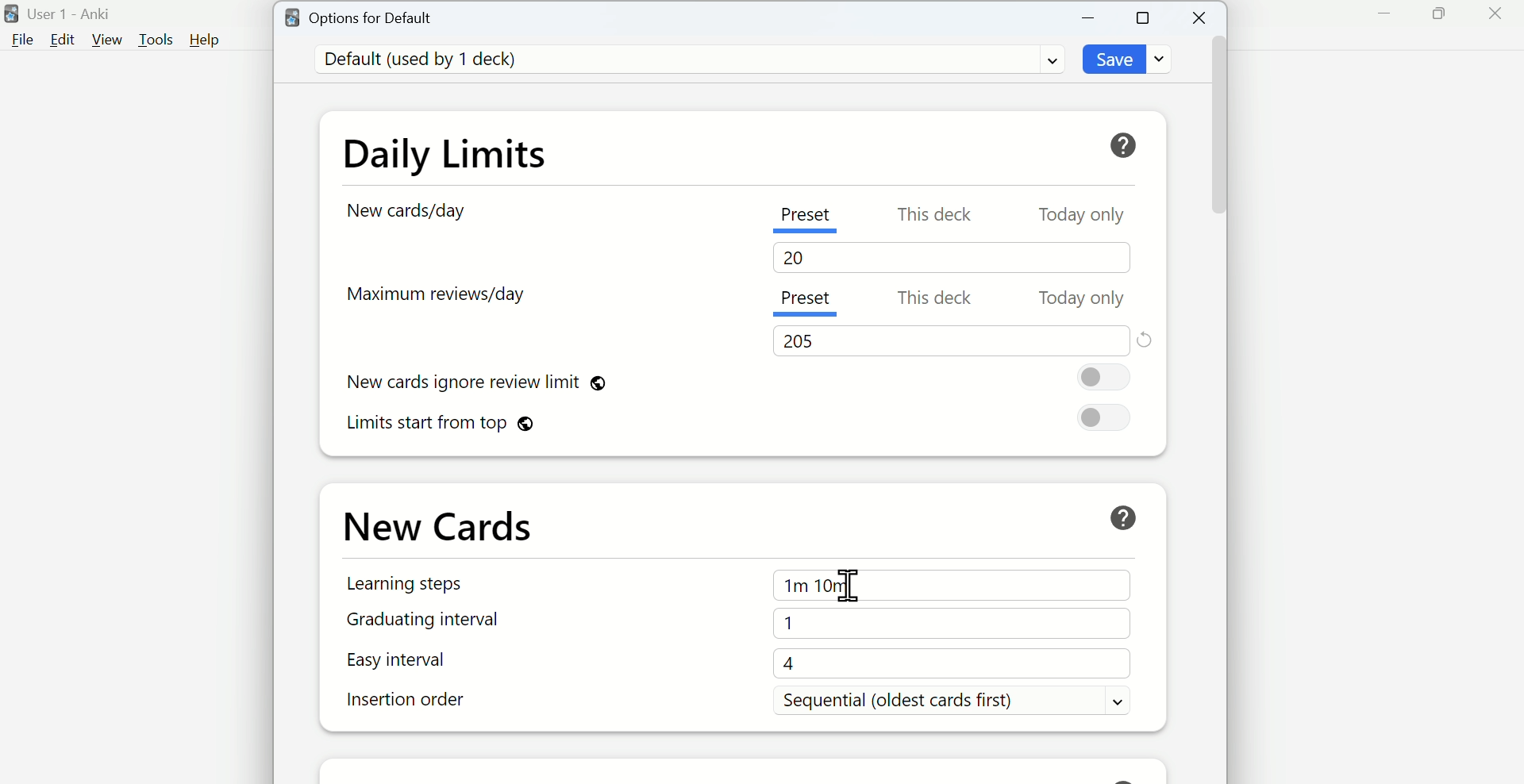 The width and height of the screenshot is (1524, 784). Describe the element at coordinates (1122, 514) in the screenshot. I see `Help` at that location.